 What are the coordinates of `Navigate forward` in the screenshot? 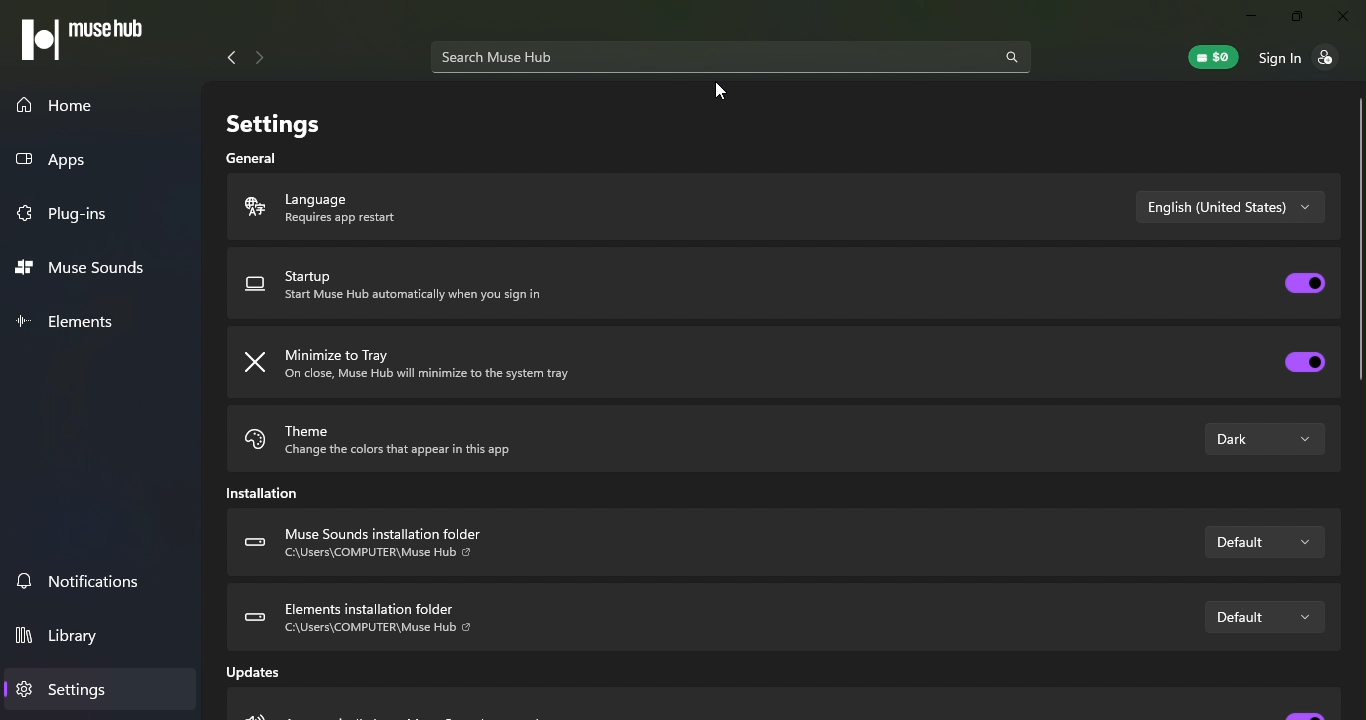 It's located at (260, 58).